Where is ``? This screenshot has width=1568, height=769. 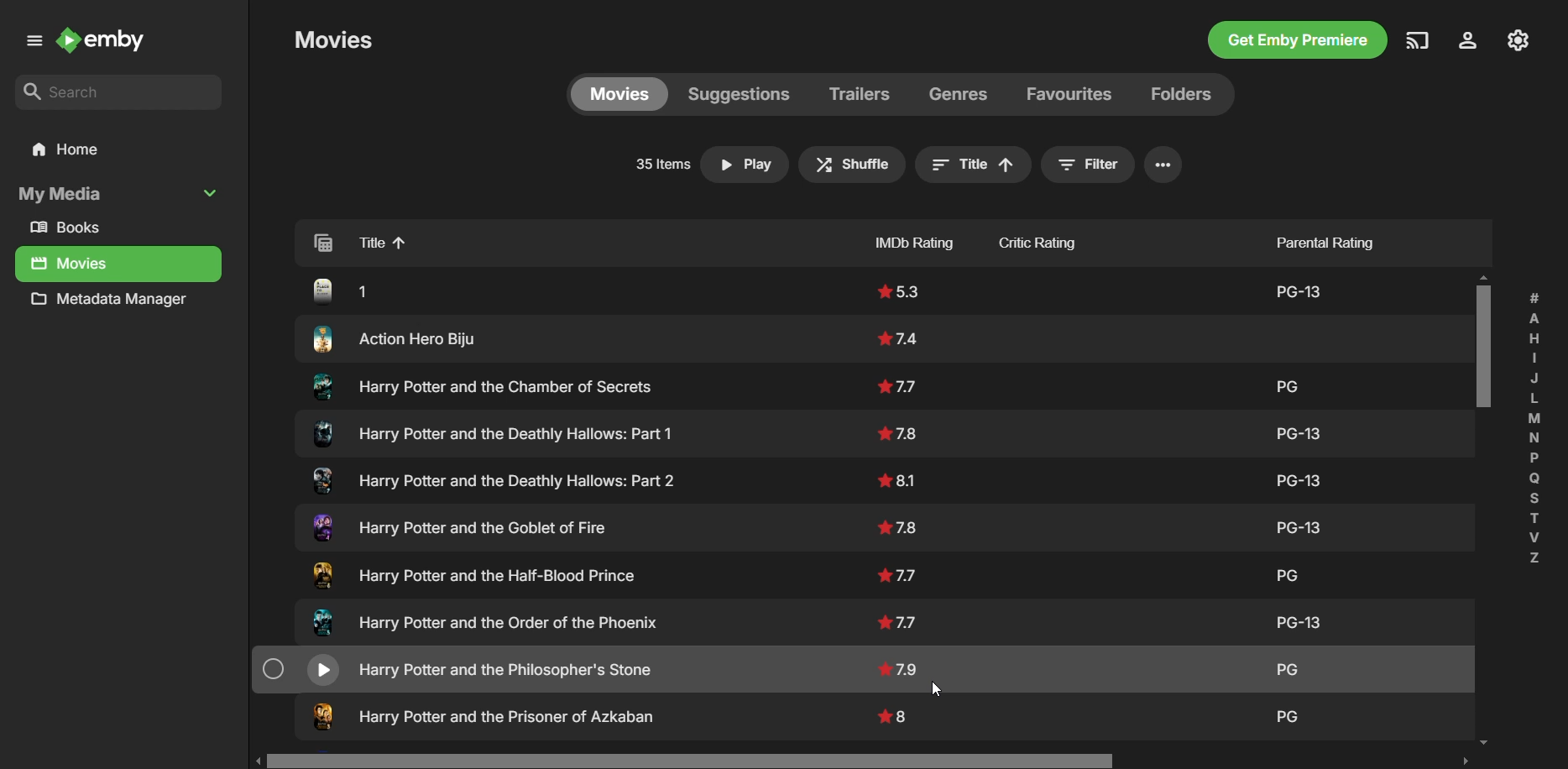
 is located at coordinates (489, 432).